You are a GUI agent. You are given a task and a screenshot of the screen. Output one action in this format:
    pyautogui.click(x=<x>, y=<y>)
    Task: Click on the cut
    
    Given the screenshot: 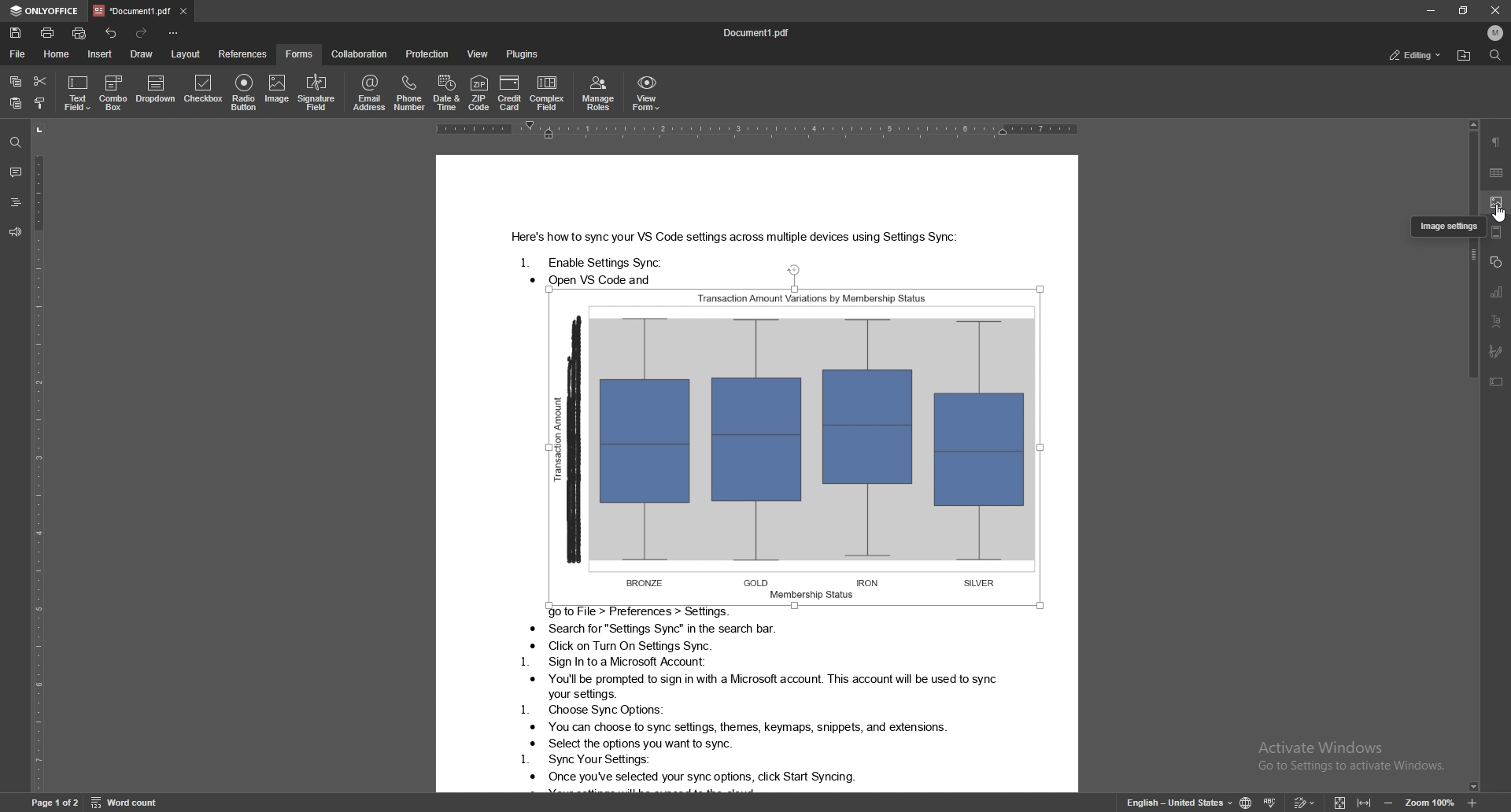 What is the action you would take?
    pyautogui.click(x=41, y=80)
    